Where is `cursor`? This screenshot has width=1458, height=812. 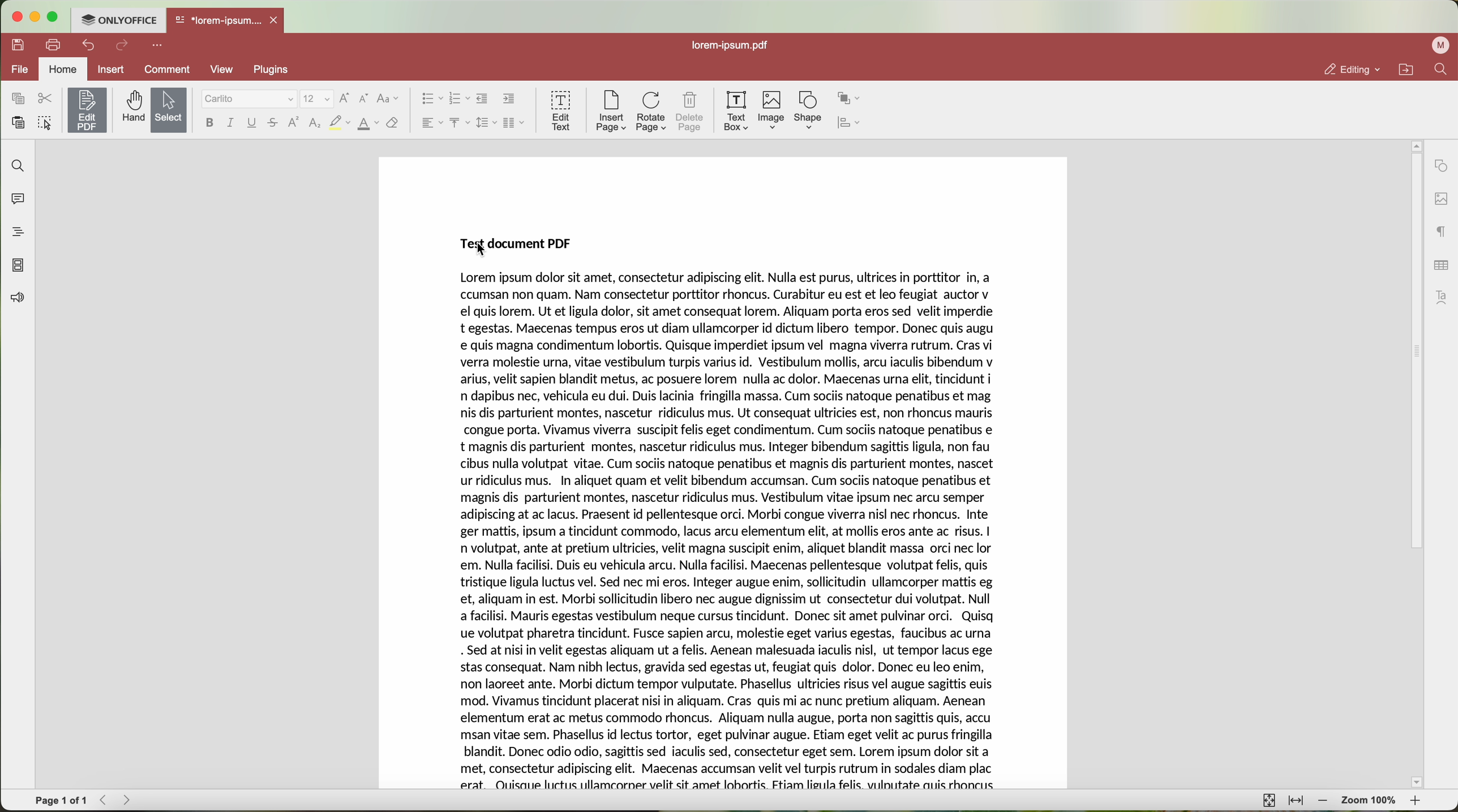
cursor is located at coordinates (482, 252).